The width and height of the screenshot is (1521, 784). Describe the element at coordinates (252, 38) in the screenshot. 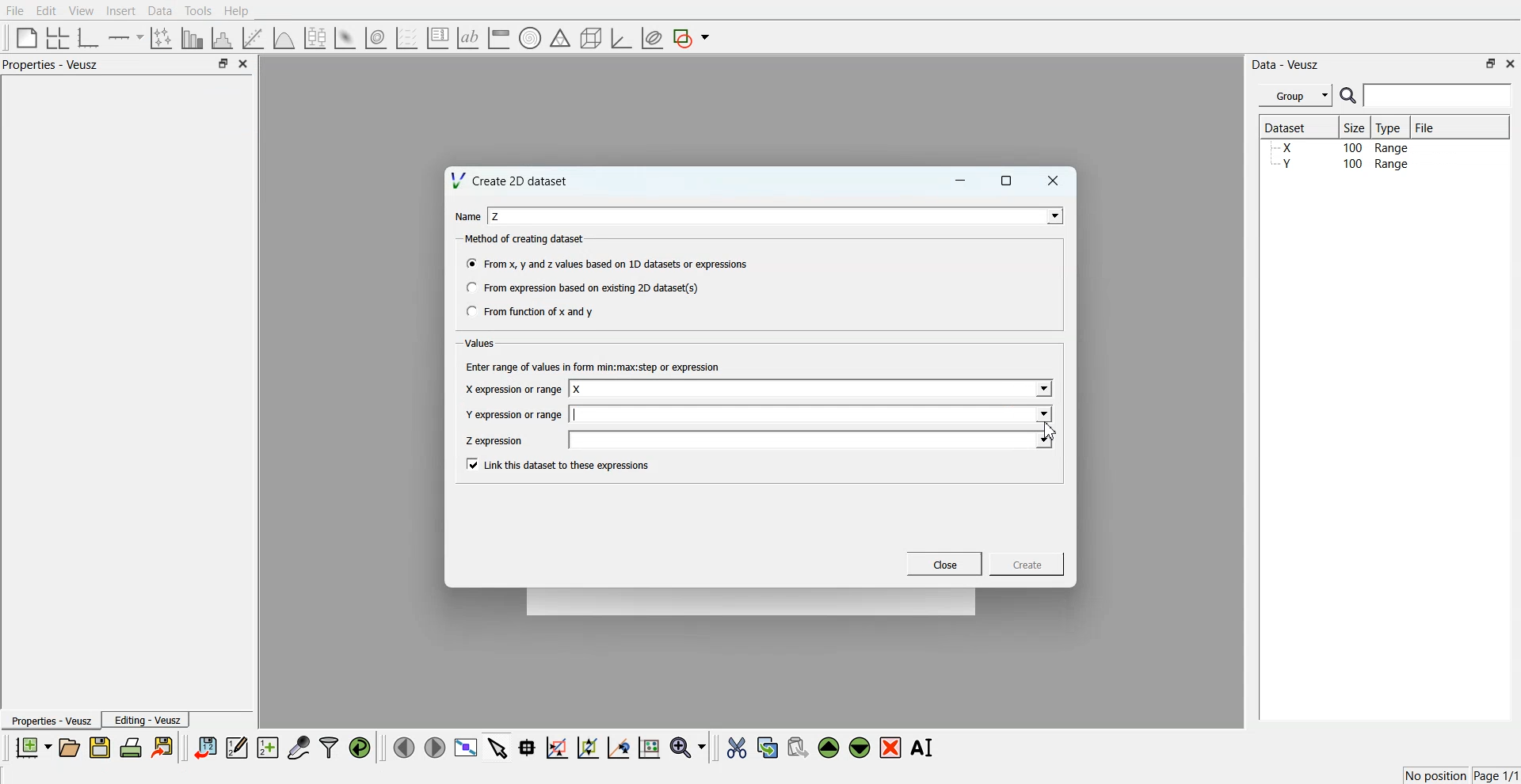

I see `Fit a function of data` at that location.